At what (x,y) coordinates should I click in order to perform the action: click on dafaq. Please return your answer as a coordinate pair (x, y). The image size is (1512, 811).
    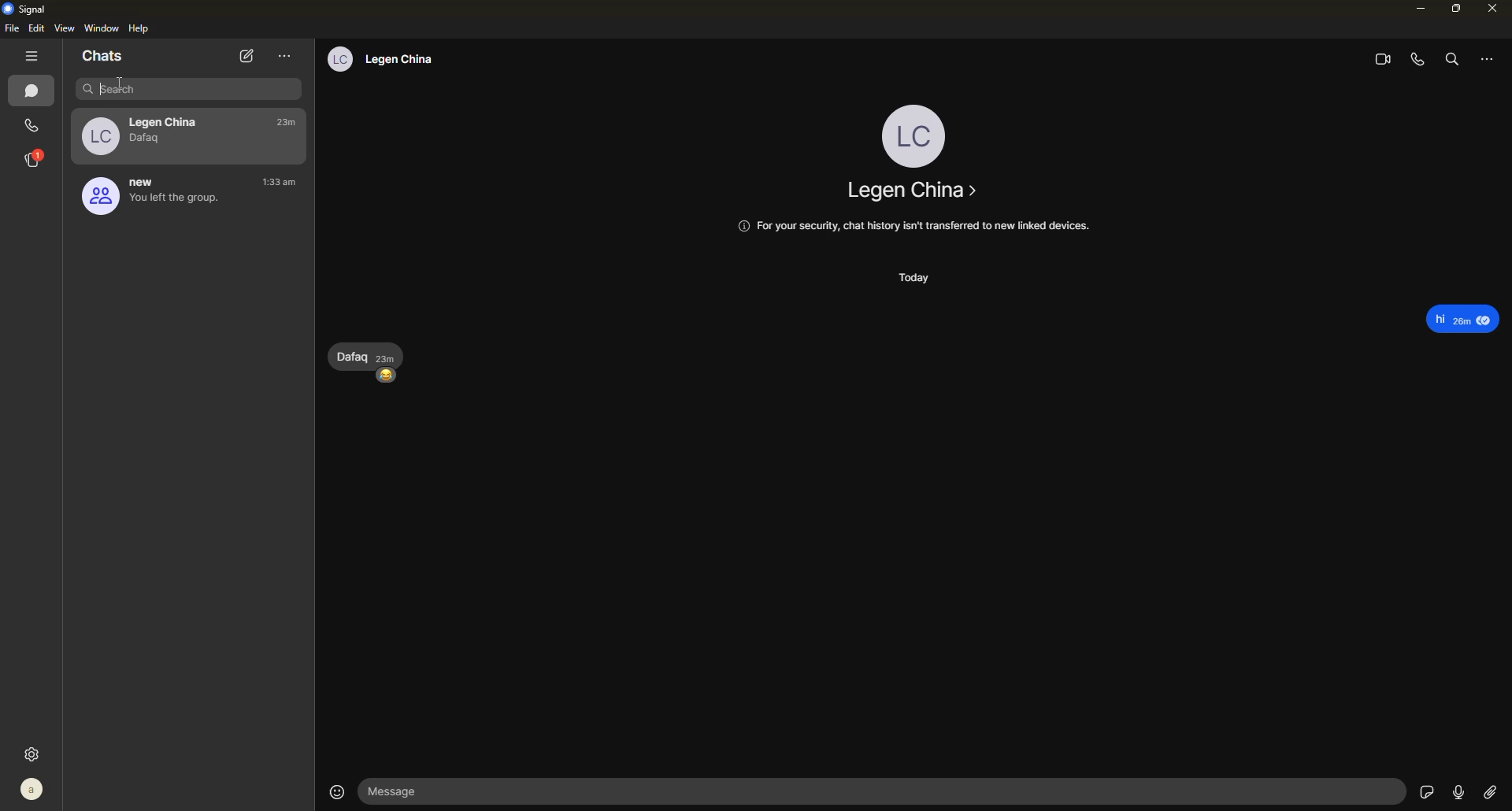
    Looking at the image, I should click on (164, 142).